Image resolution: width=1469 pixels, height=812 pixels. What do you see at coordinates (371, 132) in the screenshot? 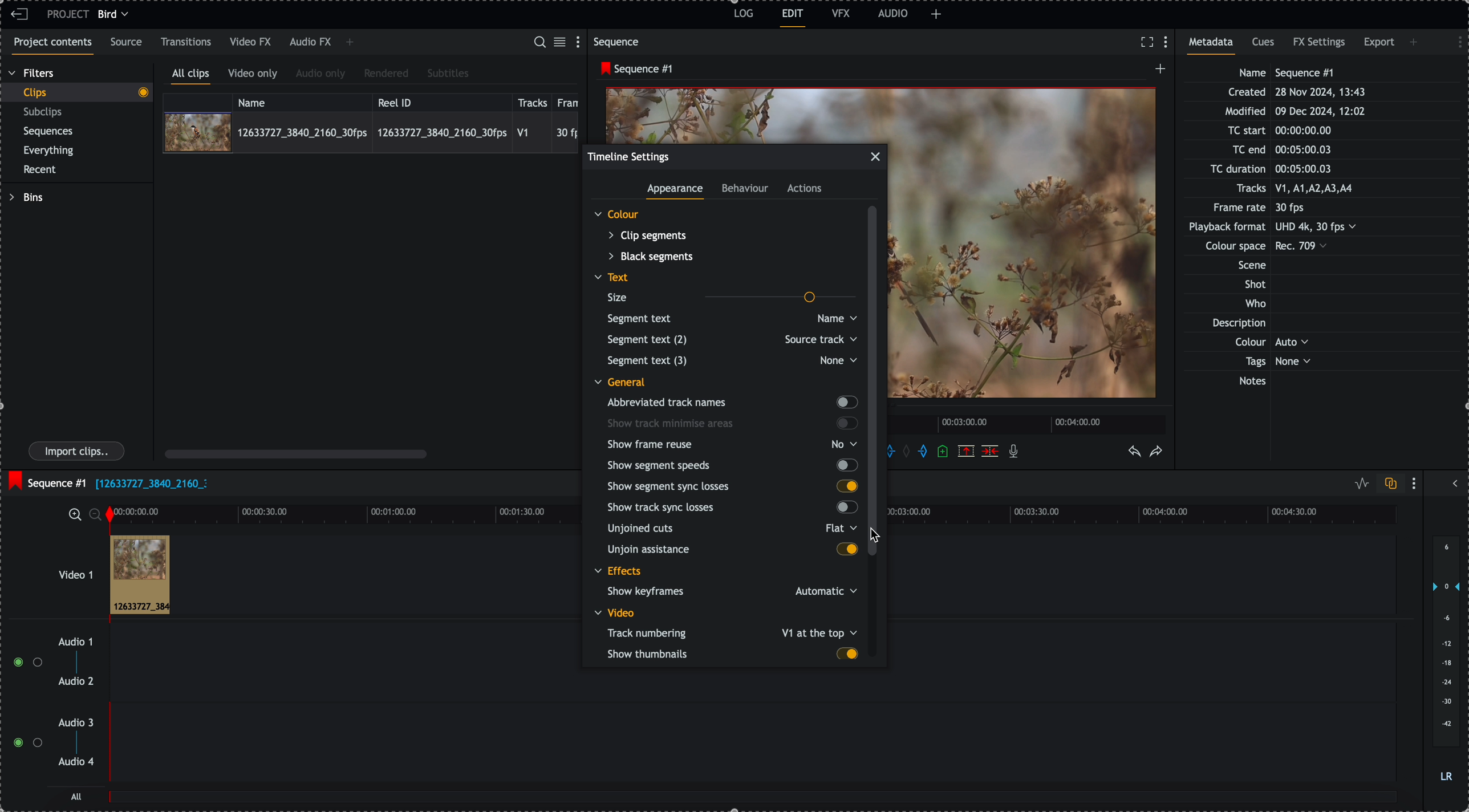
I see `click on video` at bounding box center [371, 132].